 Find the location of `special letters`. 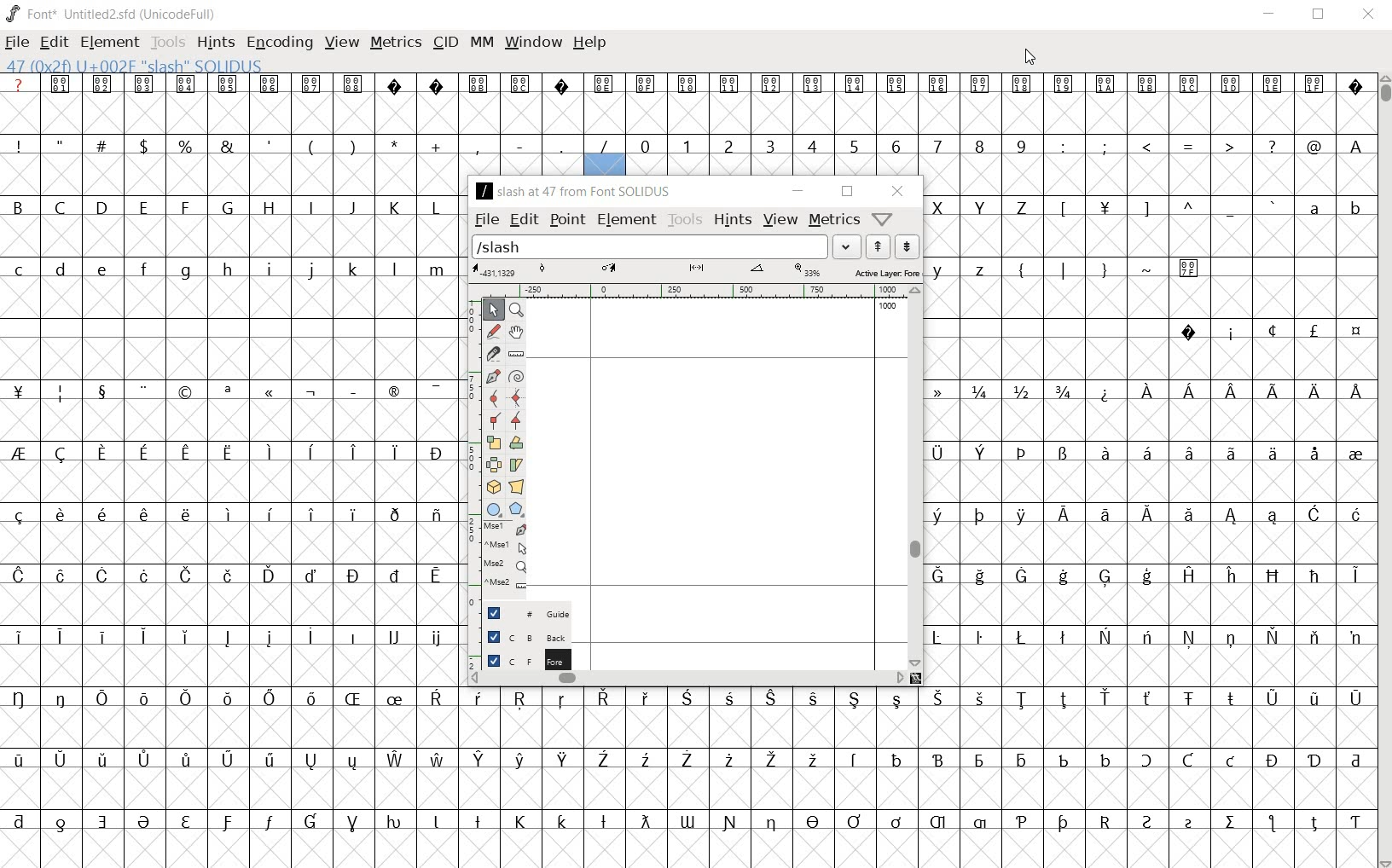

special letters is located at coordinates (229, 515).